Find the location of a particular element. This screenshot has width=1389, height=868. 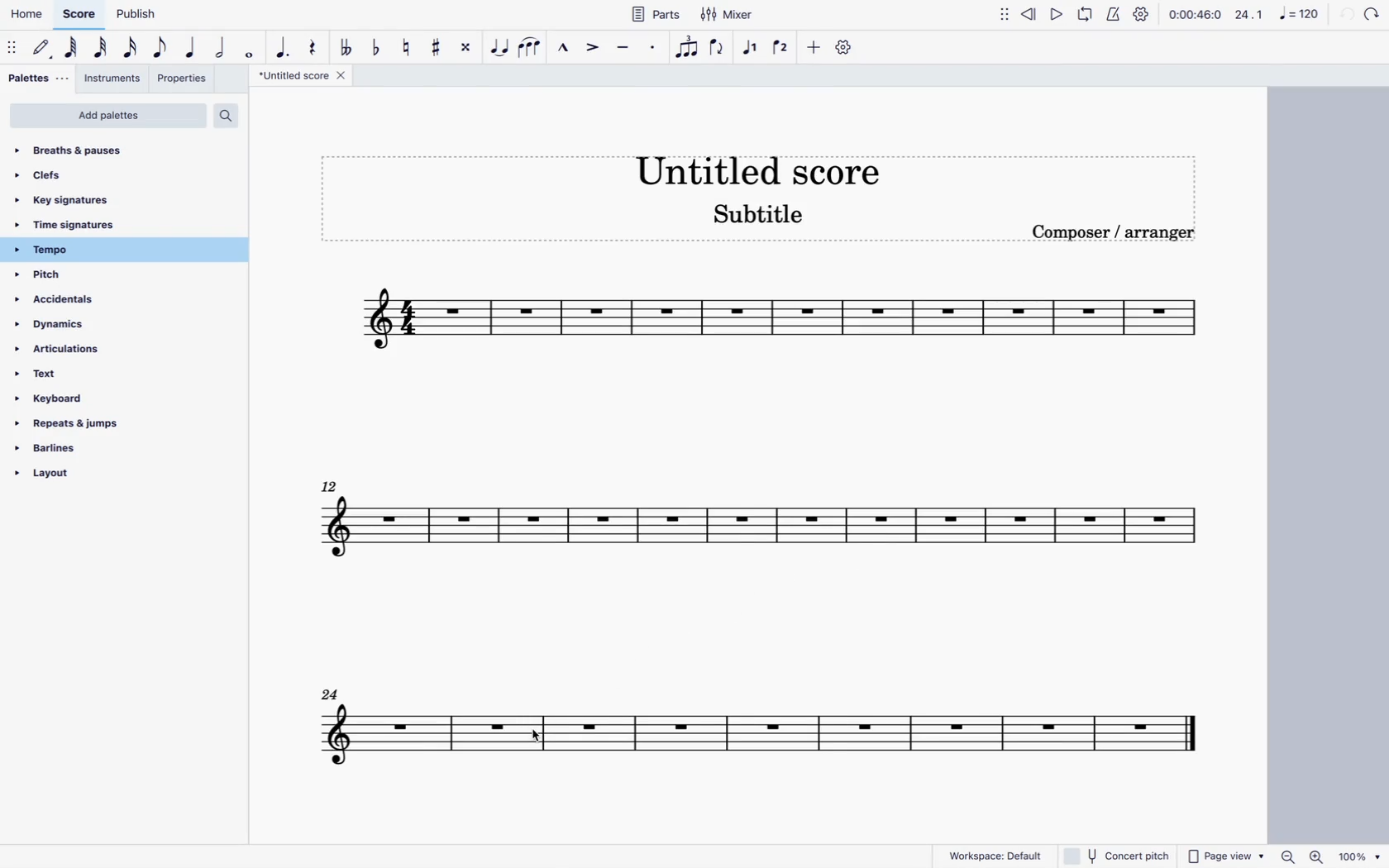

settings is located at coordinates (1141, 16).